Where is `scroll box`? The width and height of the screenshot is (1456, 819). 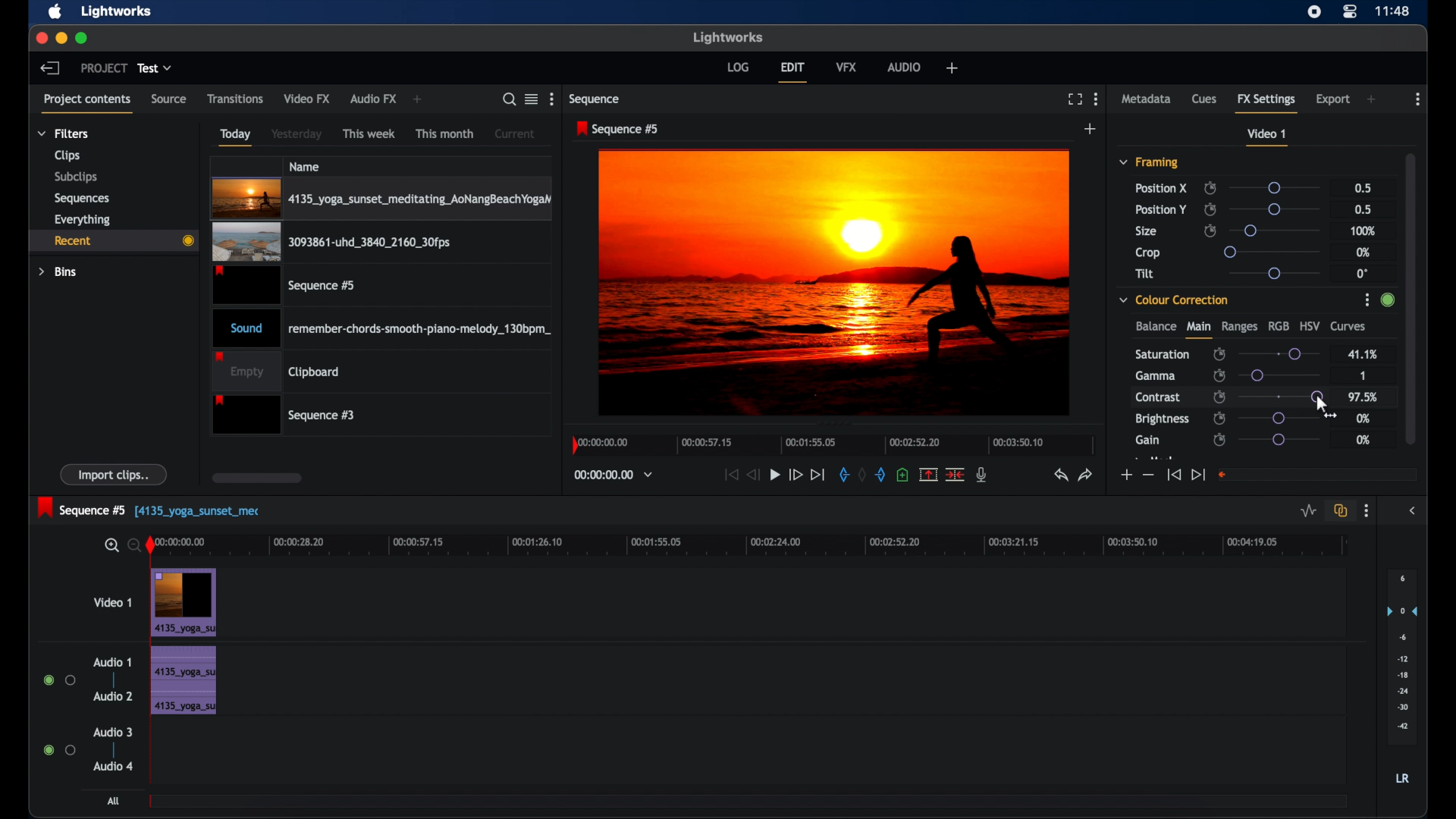 scroll box is located at coordinates (256, 478).